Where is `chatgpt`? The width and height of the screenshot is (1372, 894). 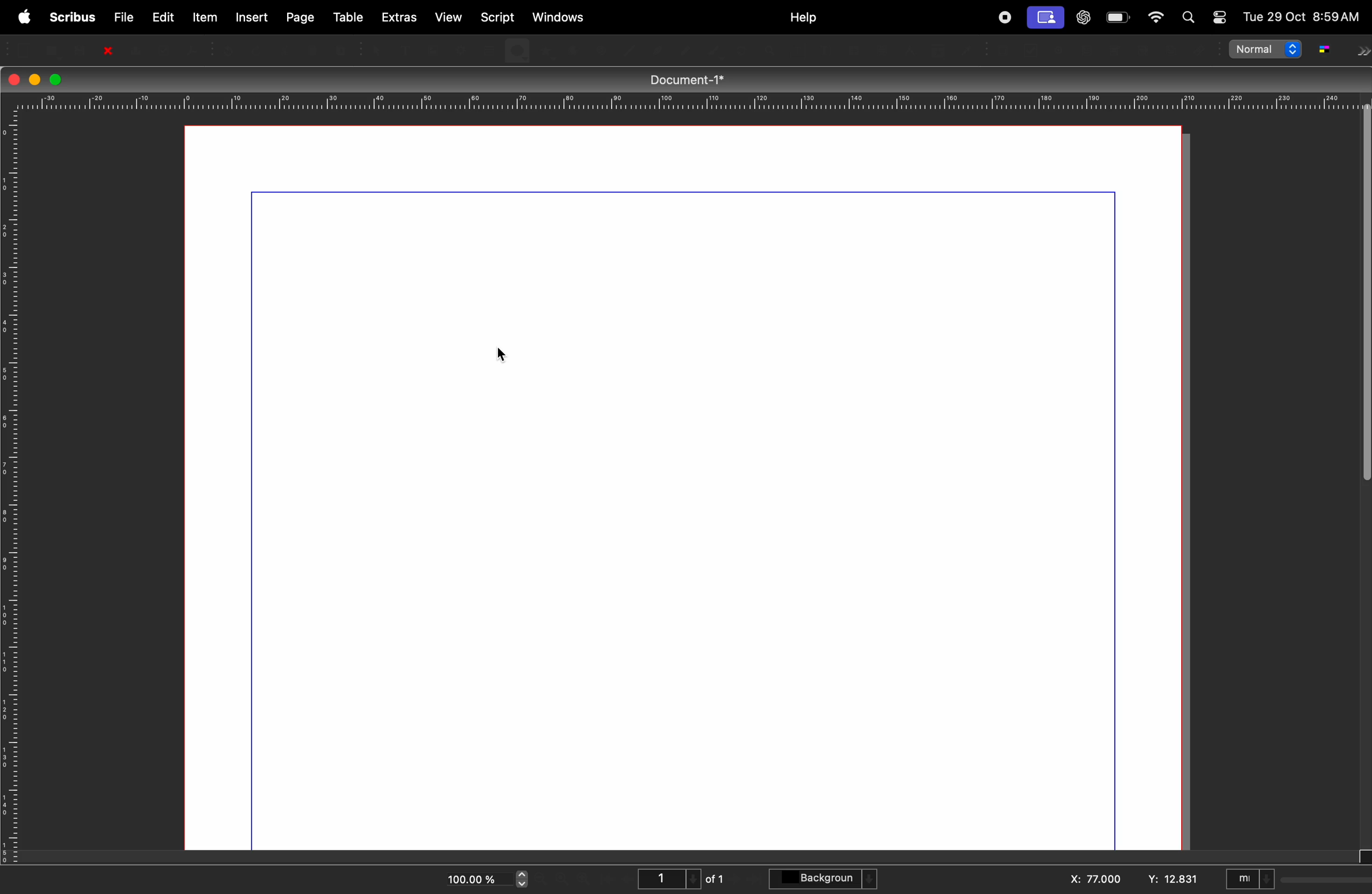
chatgpt is located at coordinates (1083, 16).